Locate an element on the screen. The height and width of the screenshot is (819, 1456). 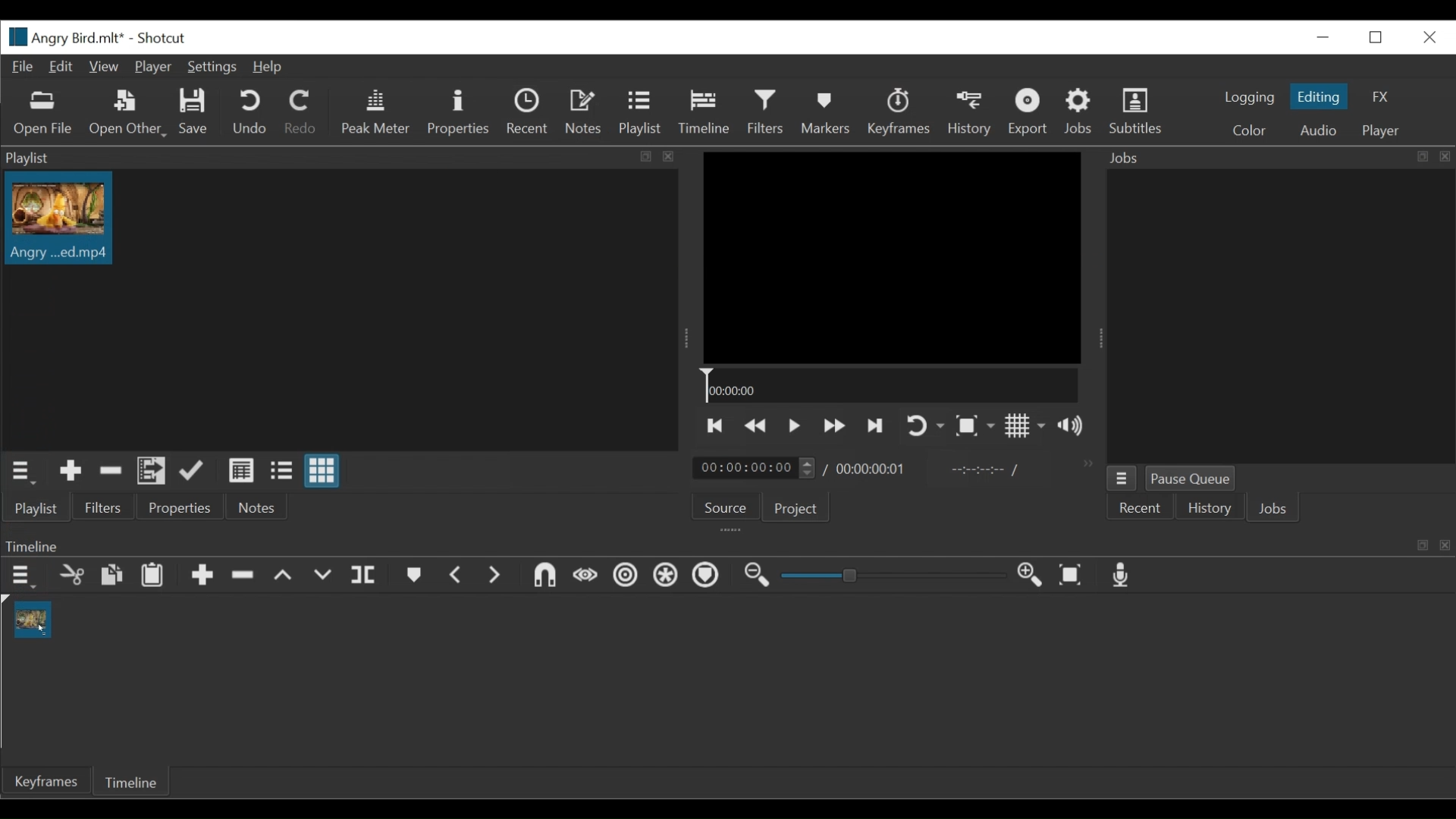
Ripple delete is located at coordinates (243, 575).